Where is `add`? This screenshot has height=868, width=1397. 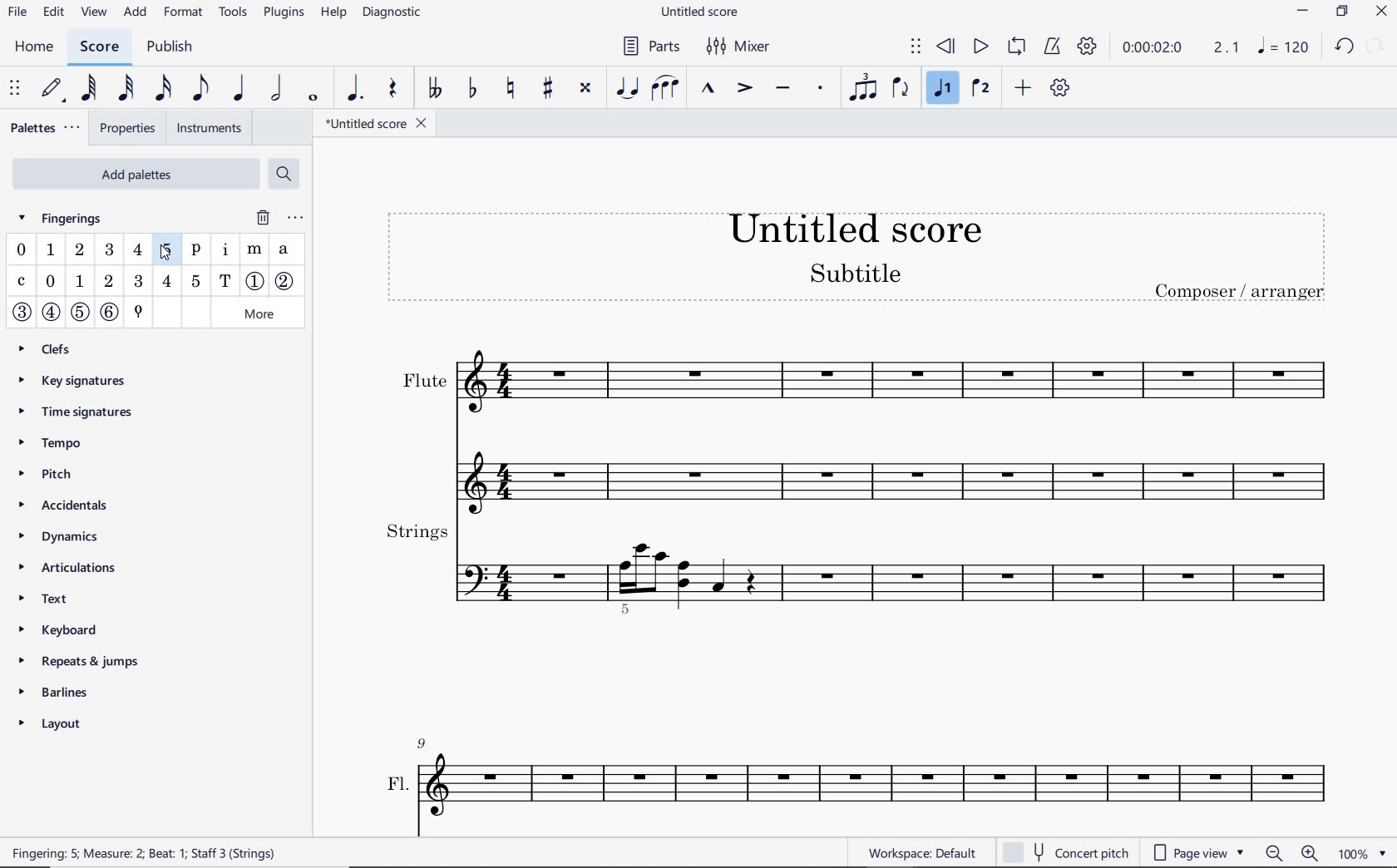 add is located at coordinates (1024, 86).